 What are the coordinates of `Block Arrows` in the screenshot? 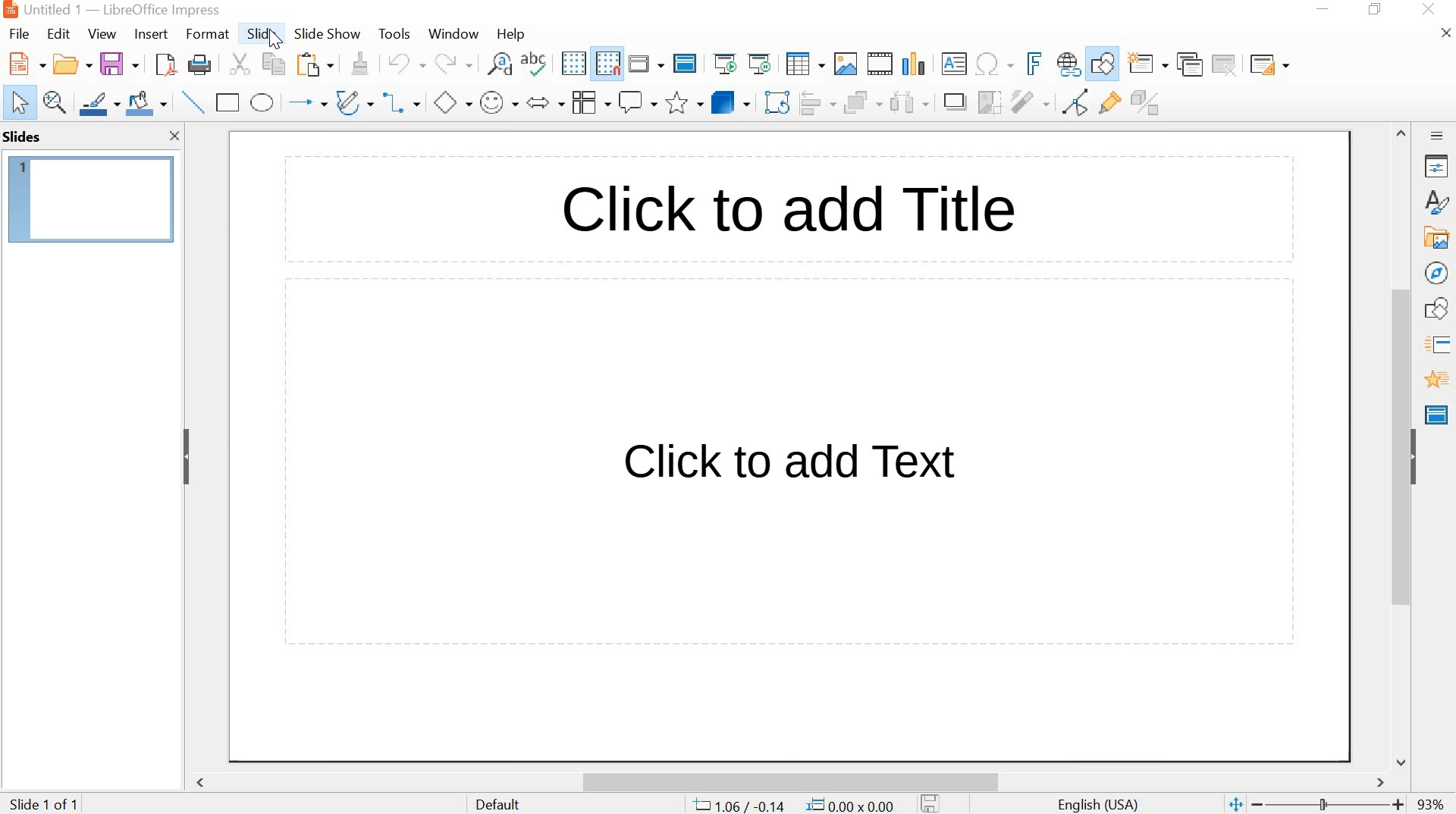 It's located at (544, 104).